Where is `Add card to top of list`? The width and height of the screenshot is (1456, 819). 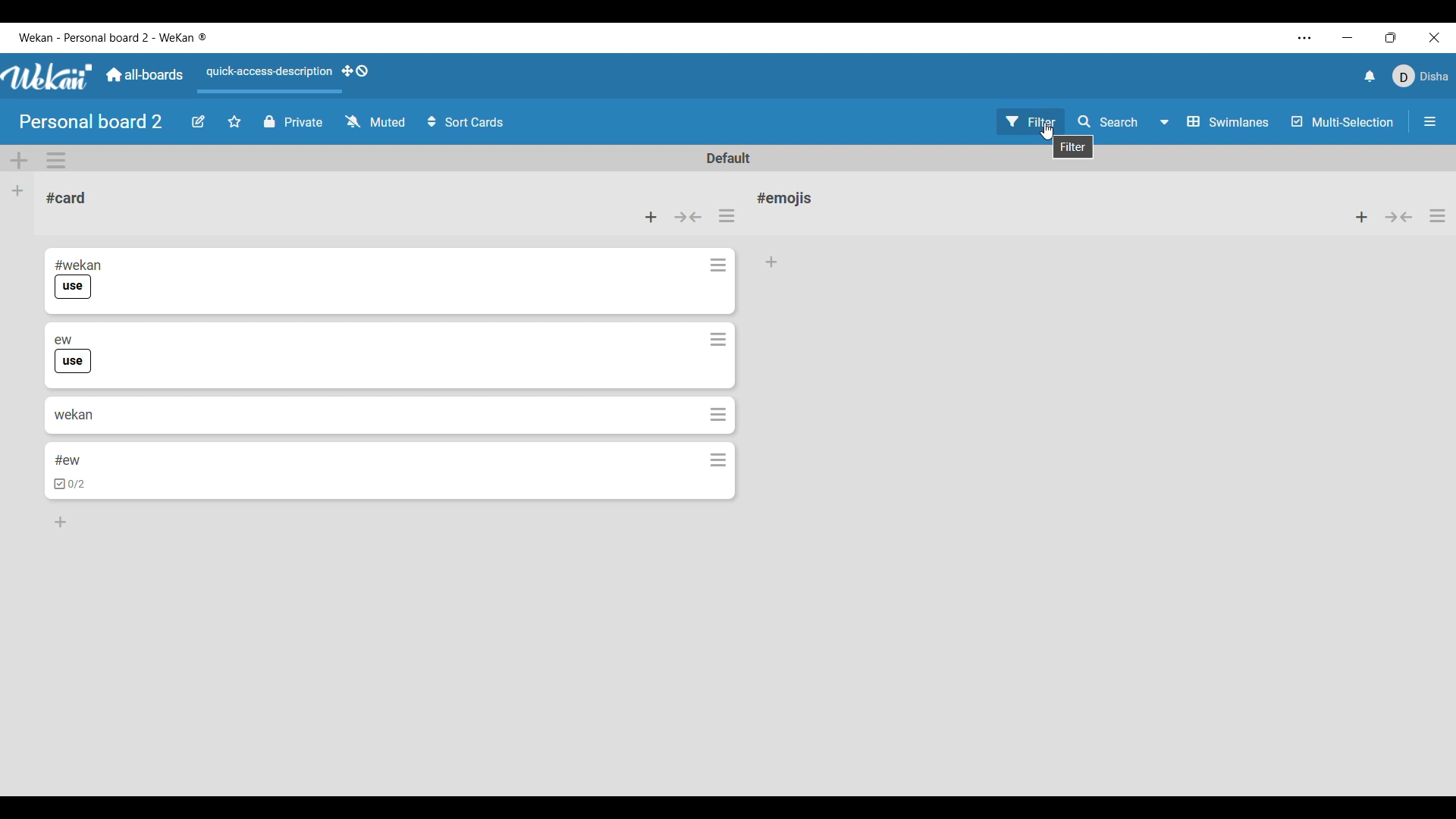
Add card to top of list is located at coordinates (651, 217).